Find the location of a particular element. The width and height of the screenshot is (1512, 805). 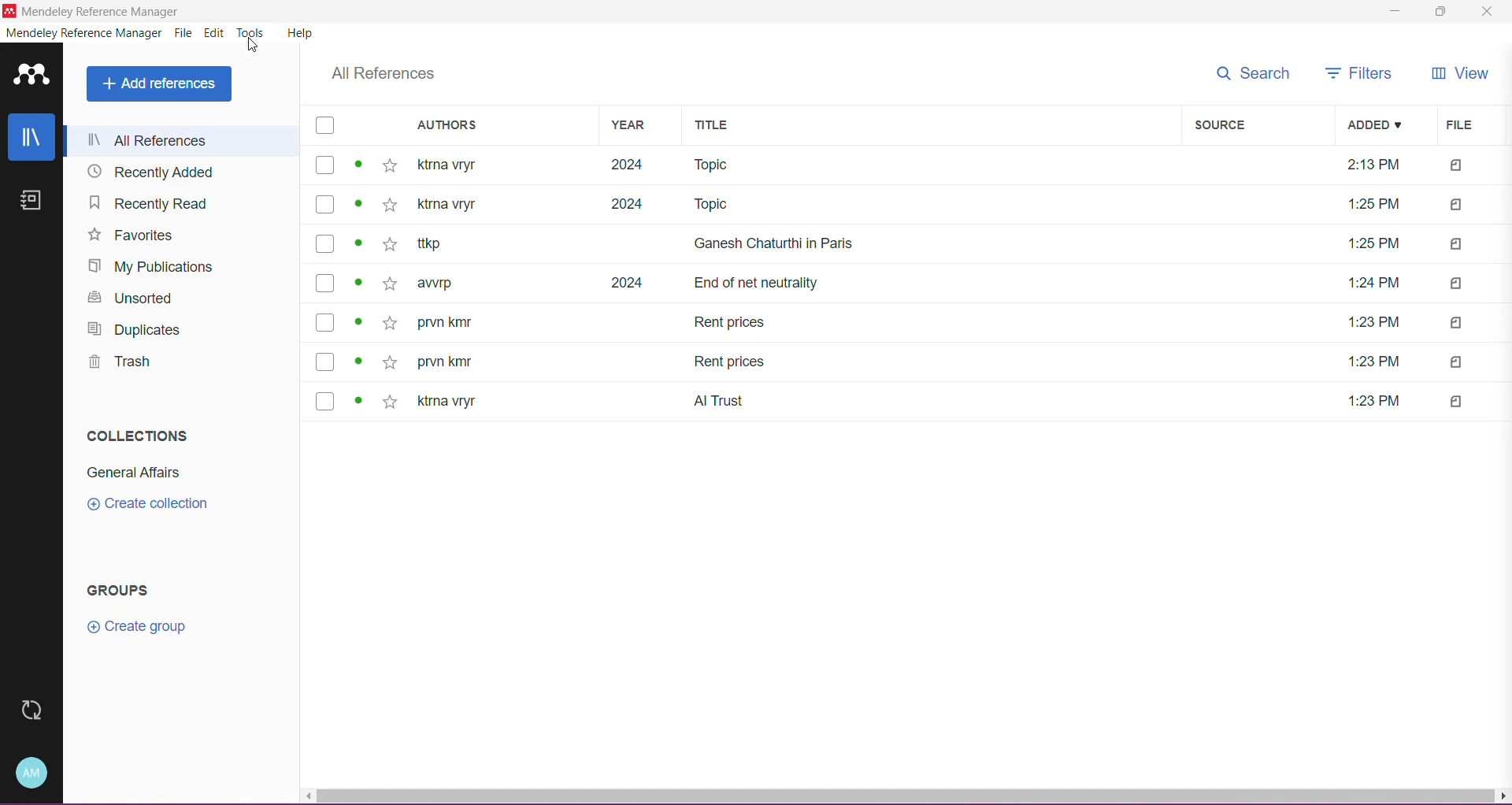

Notes is located at coordinates (35, 202).